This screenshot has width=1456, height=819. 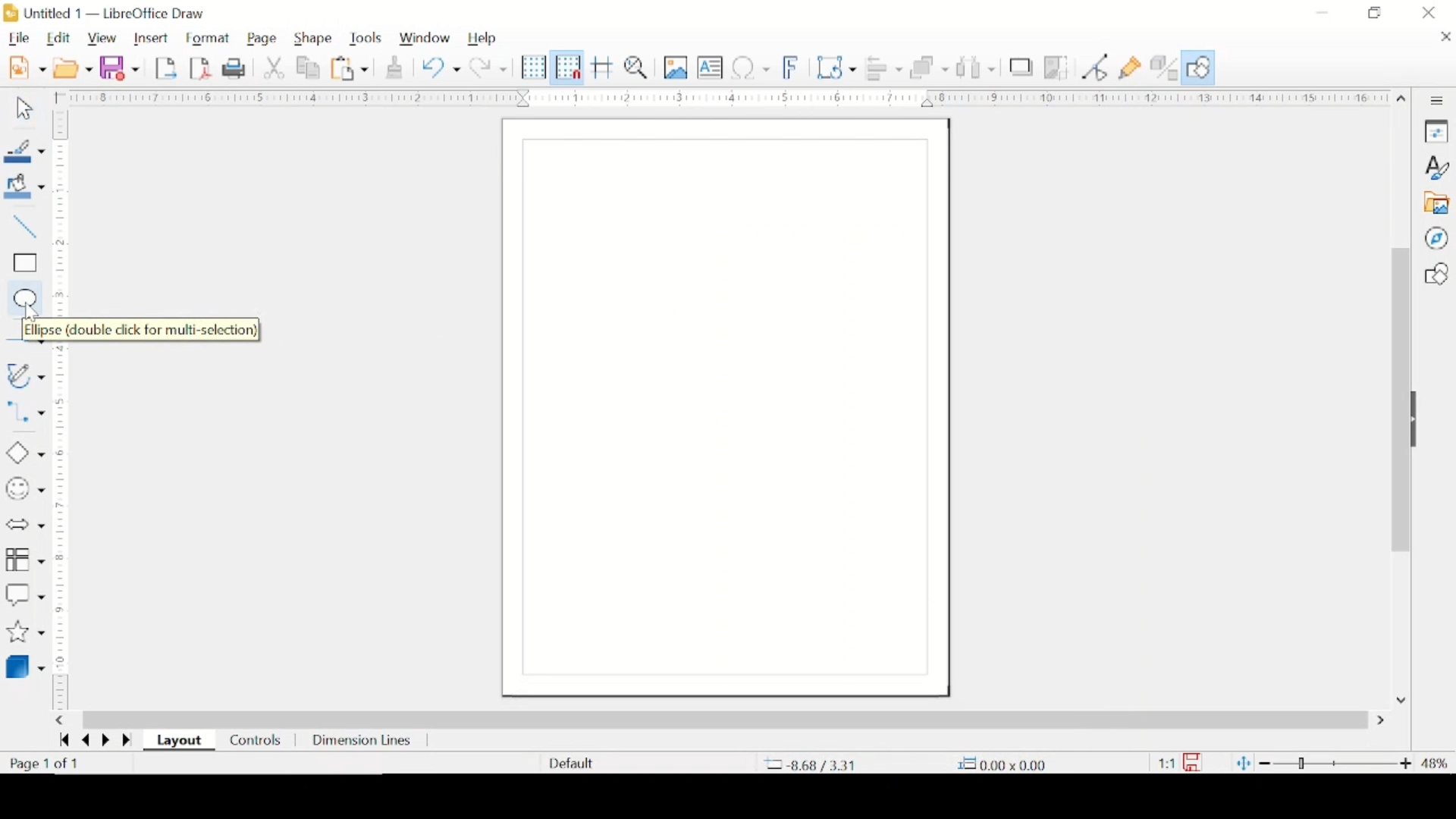 What do you see at coordinates (275, 67) in the screenshot?
I see `cut` at bounding box center [275, 67].